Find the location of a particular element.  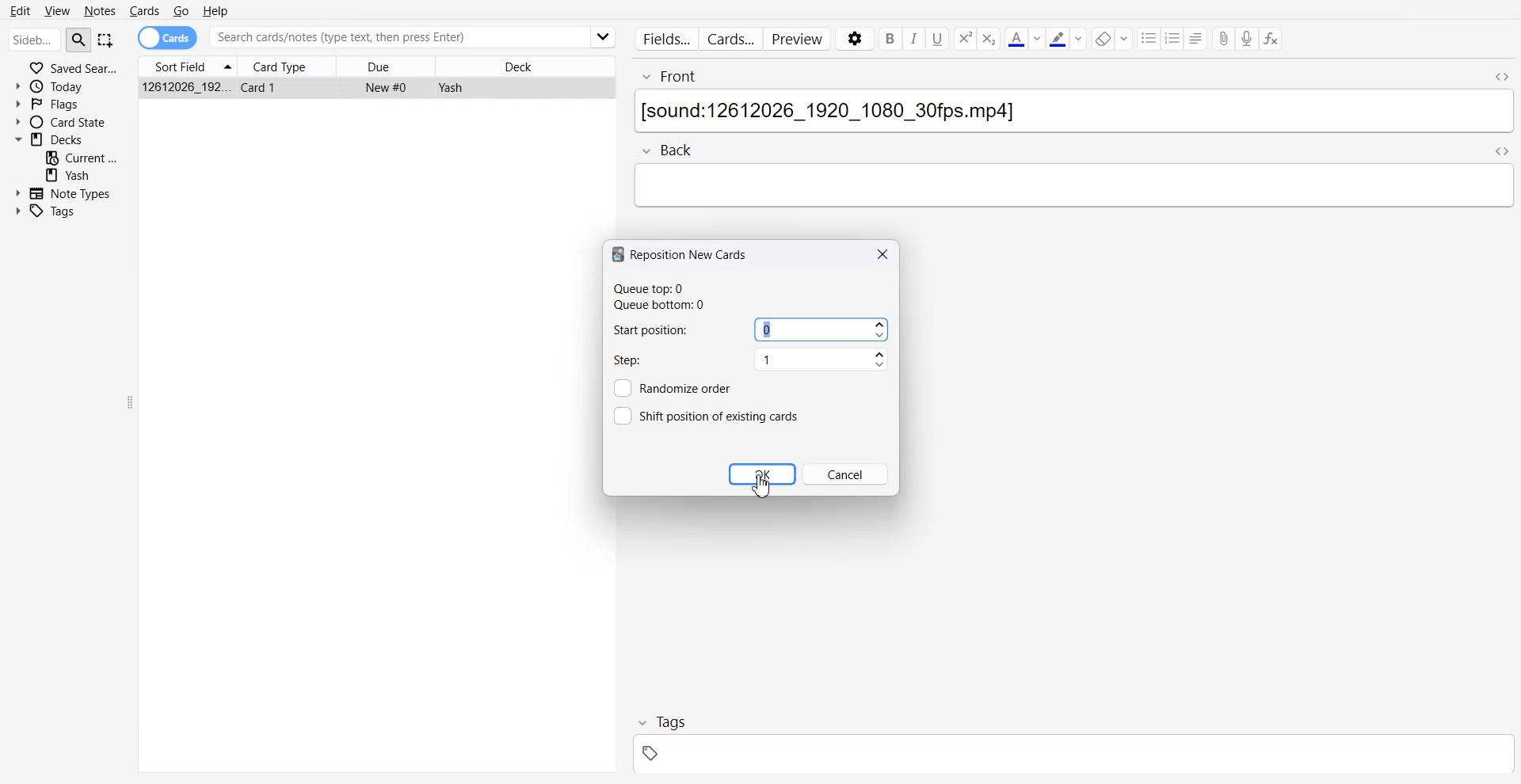

Erase Text is located at coordinates (1112, 38).